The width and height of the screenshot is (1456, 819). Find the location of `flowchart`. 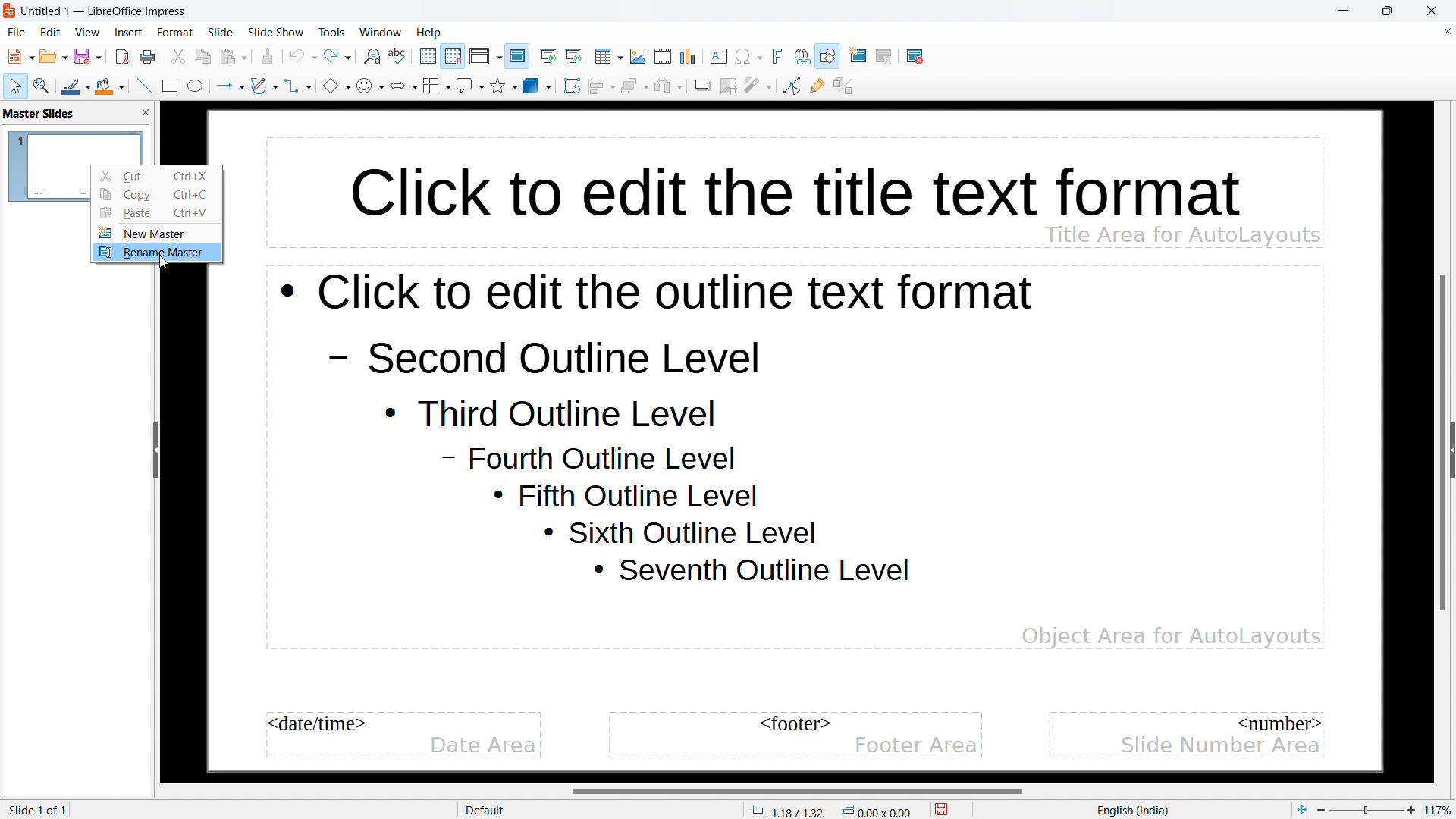

flowchart is located at coordinates (437, 86).